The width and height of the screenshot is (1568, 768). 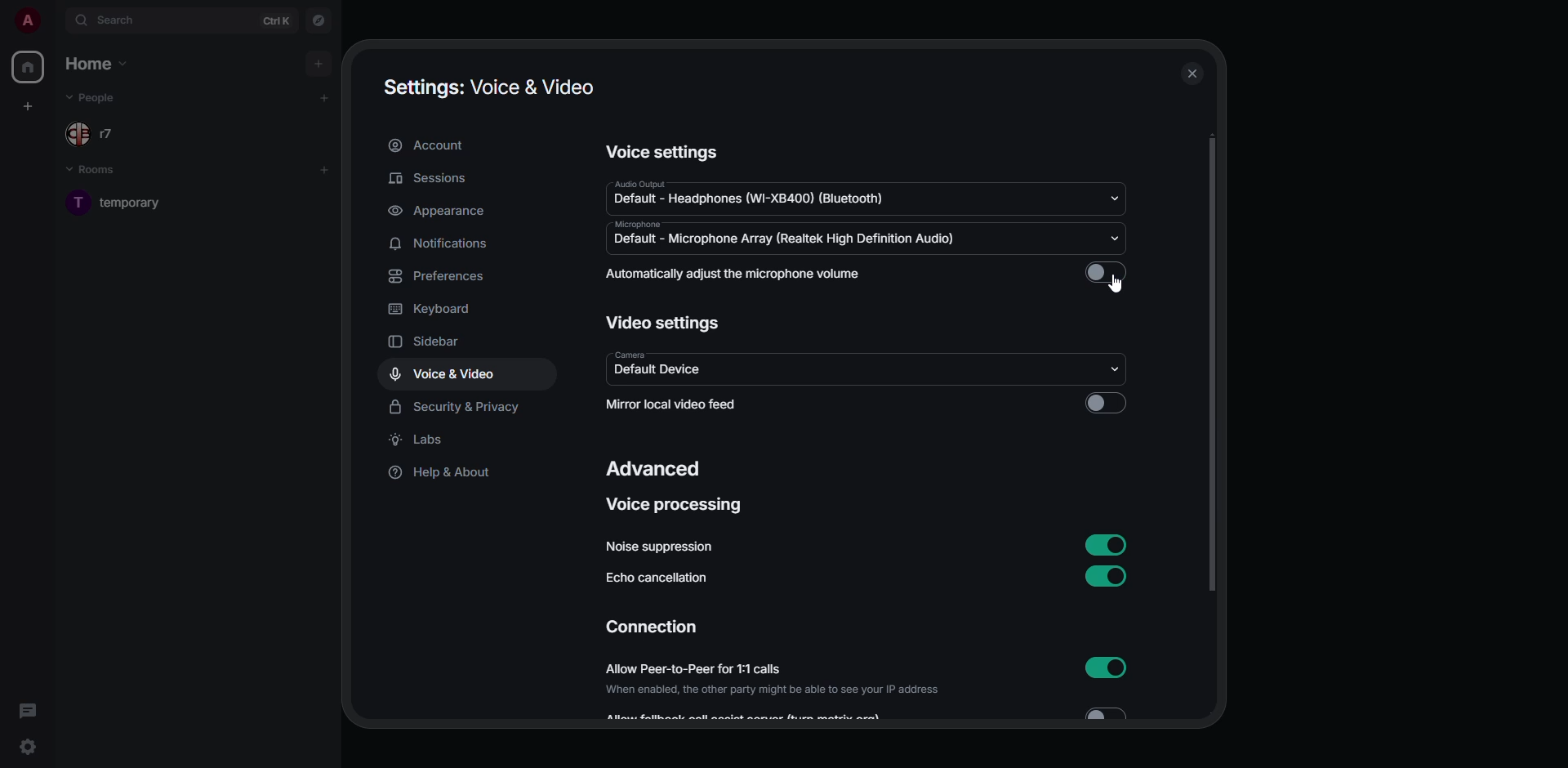 I want to click on click to enable, so click(x=1105, y=404).